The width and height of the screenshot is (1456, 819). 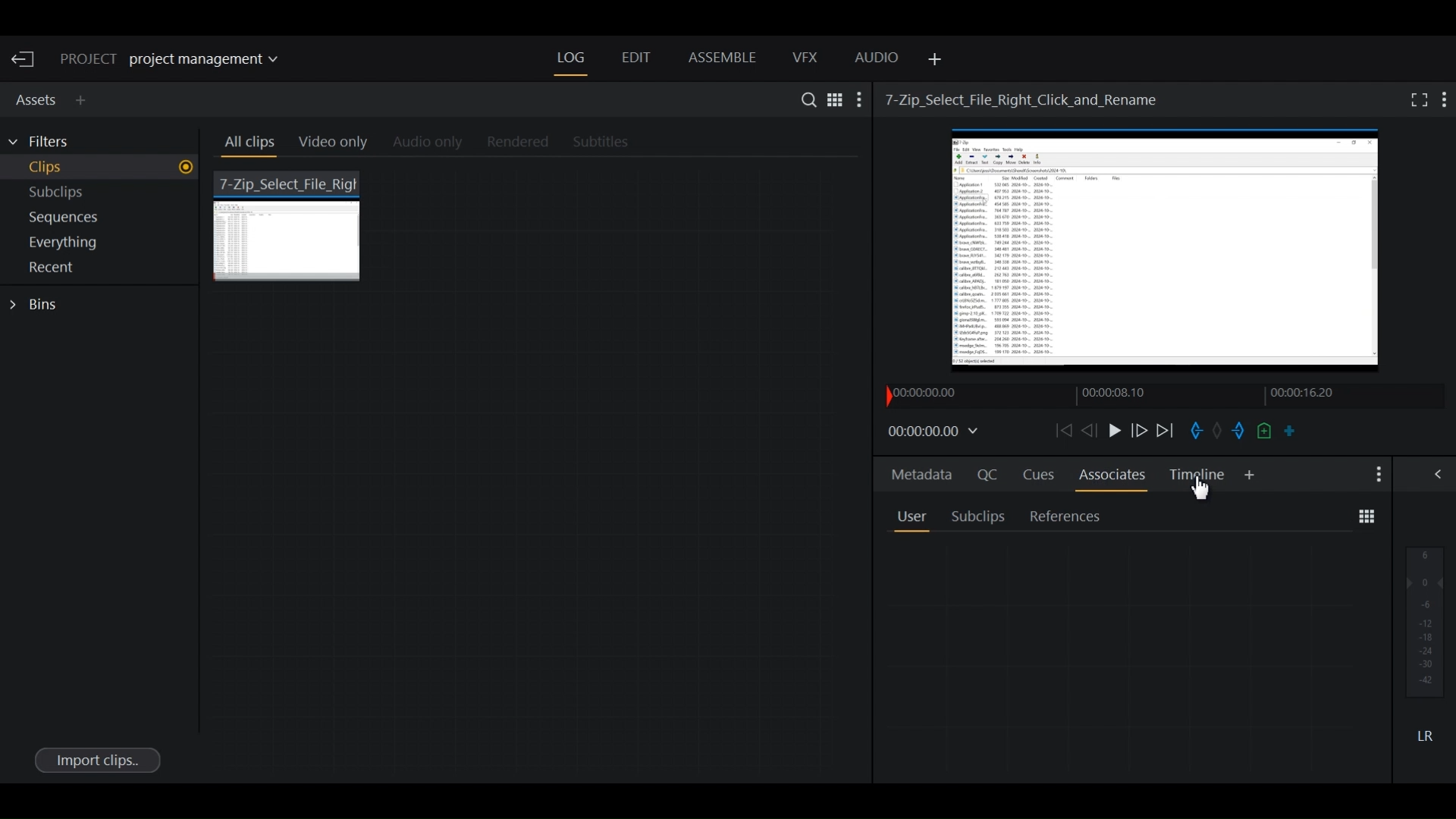 What do you see at coordinates (1376, 475) in the screenshot?
I see `Show settings menu` at bounding box center [1376, 475].